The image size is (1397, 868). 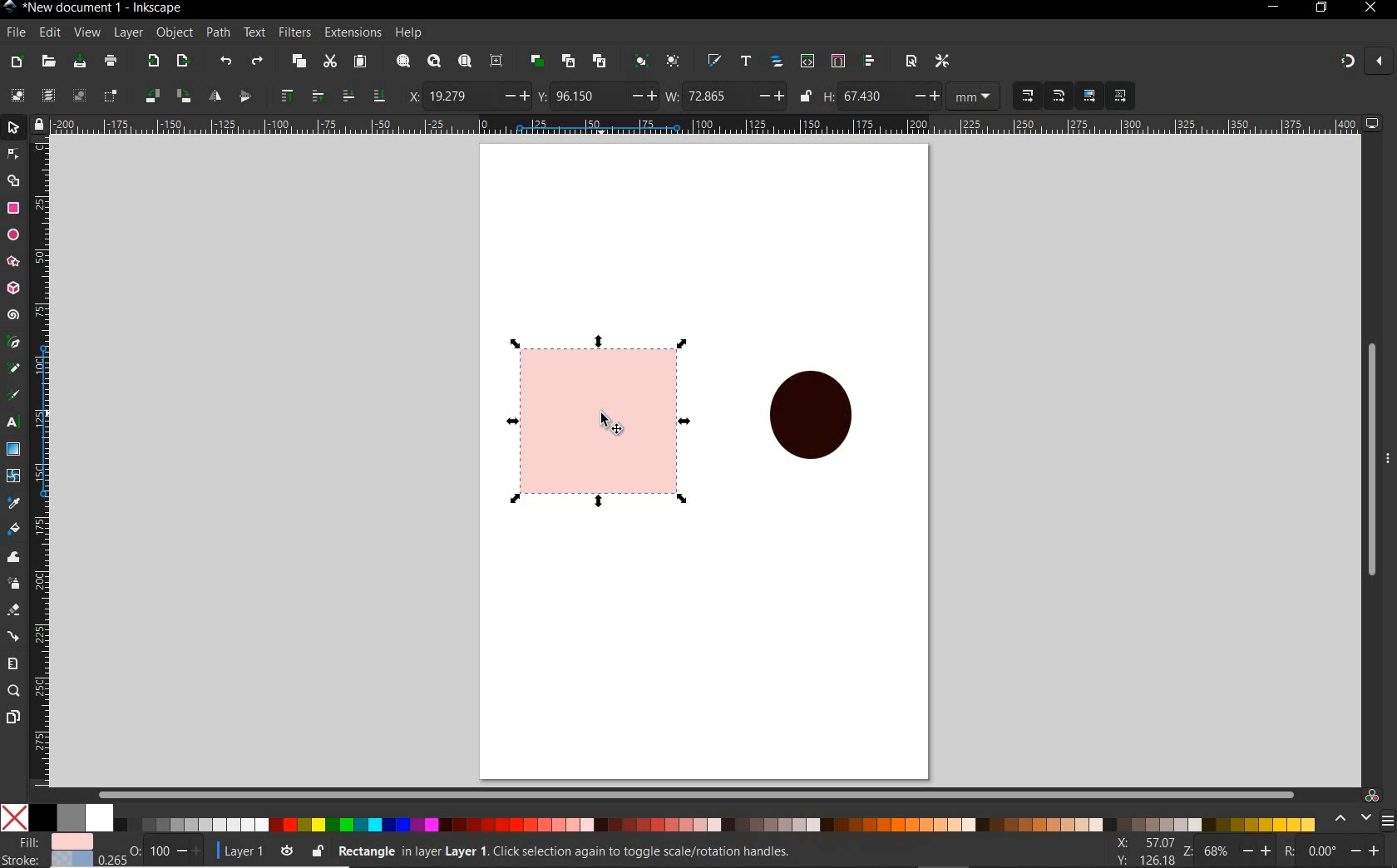 I want to click on zoom, so click(x=1236, y=853).